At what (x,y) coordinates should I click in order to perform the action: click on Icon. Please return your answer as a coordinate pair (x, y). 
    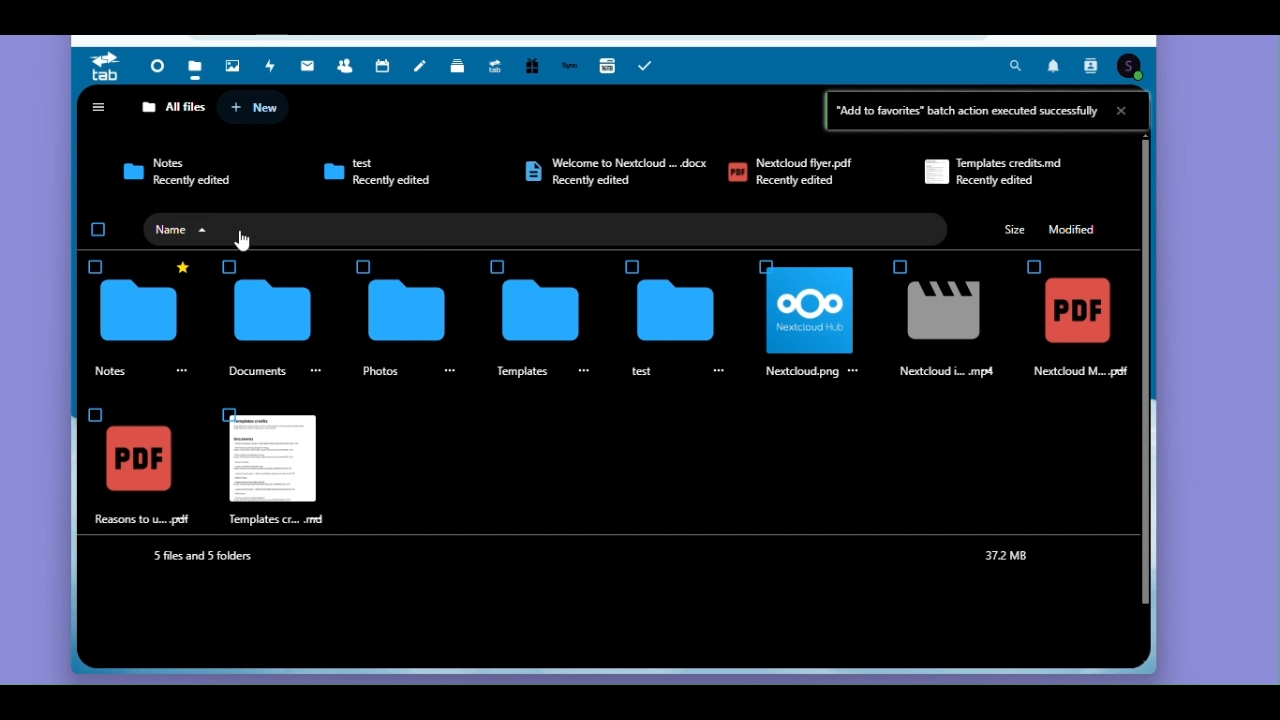
    Looking at the image, I should click on (1080, 312).